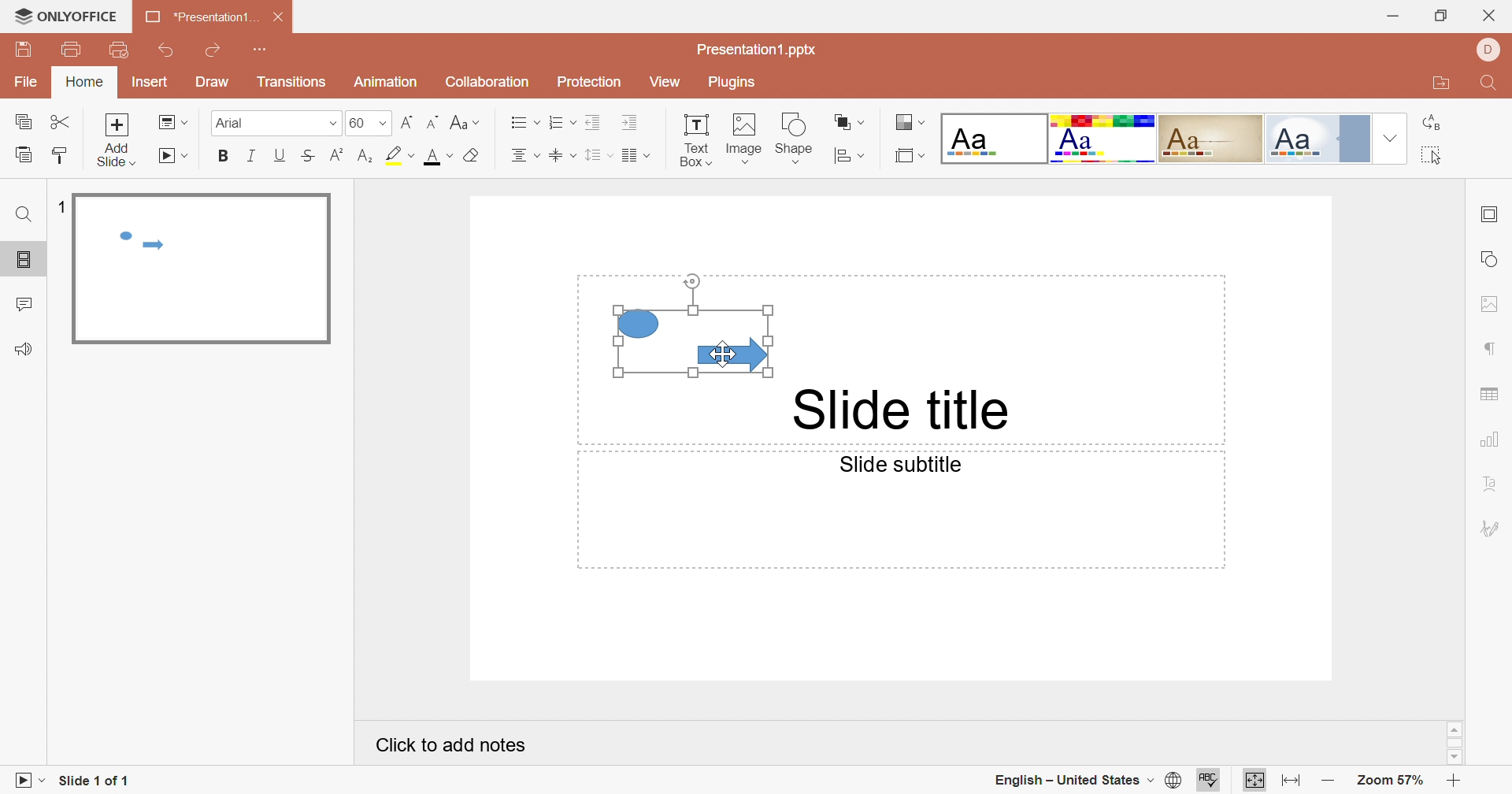 The height and width of the screenshot is (794, 1512). What do you see at coordinates (98, 781) in the screenshot?
I see `Slide 1 of 1` at bounding box center [98, 781].